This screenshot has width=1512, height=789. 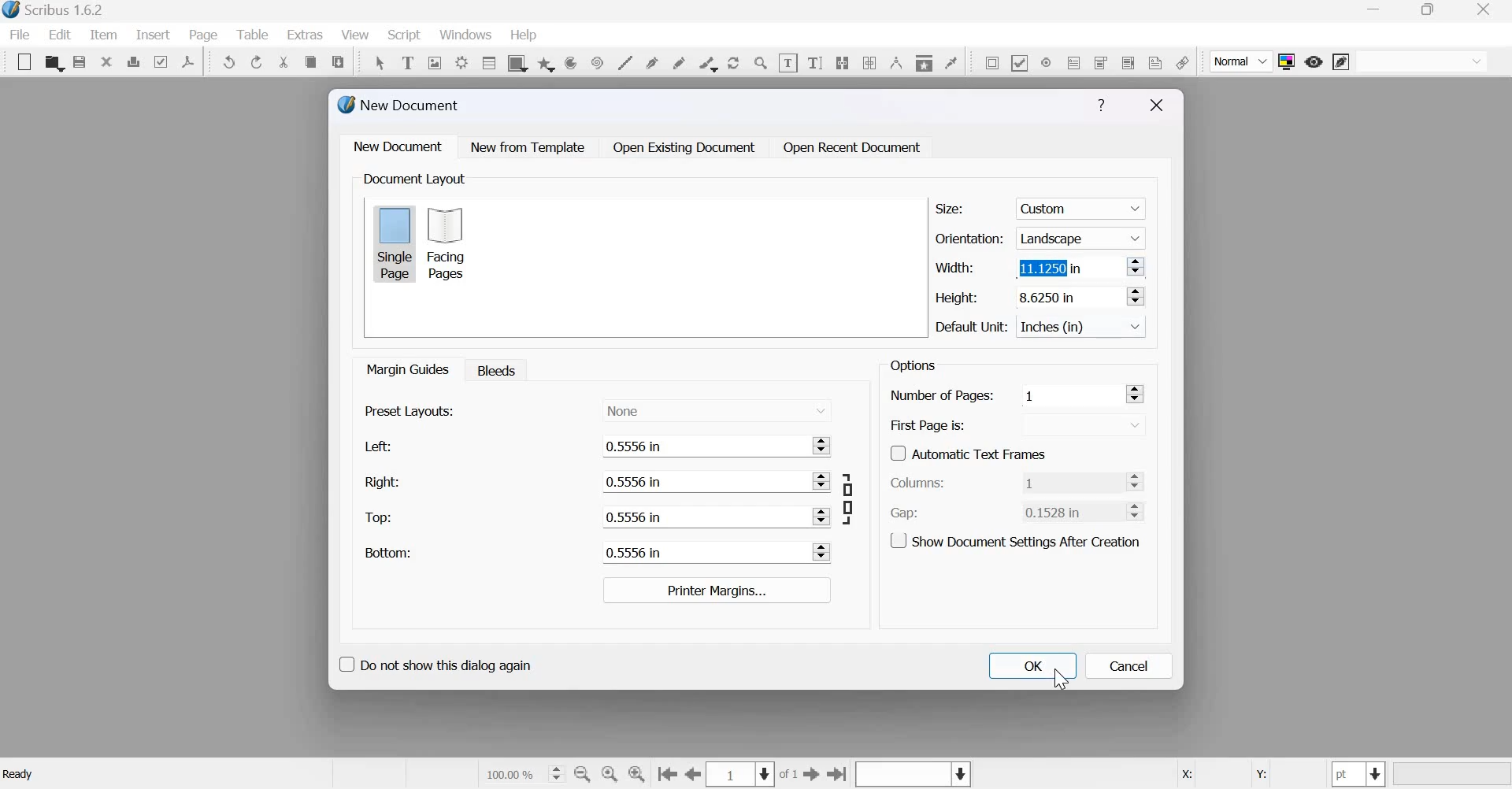 What do you see at coordinates (972, 328) in the screenshot?
I see `Default Unit: ` at bounding box center [972, 328].